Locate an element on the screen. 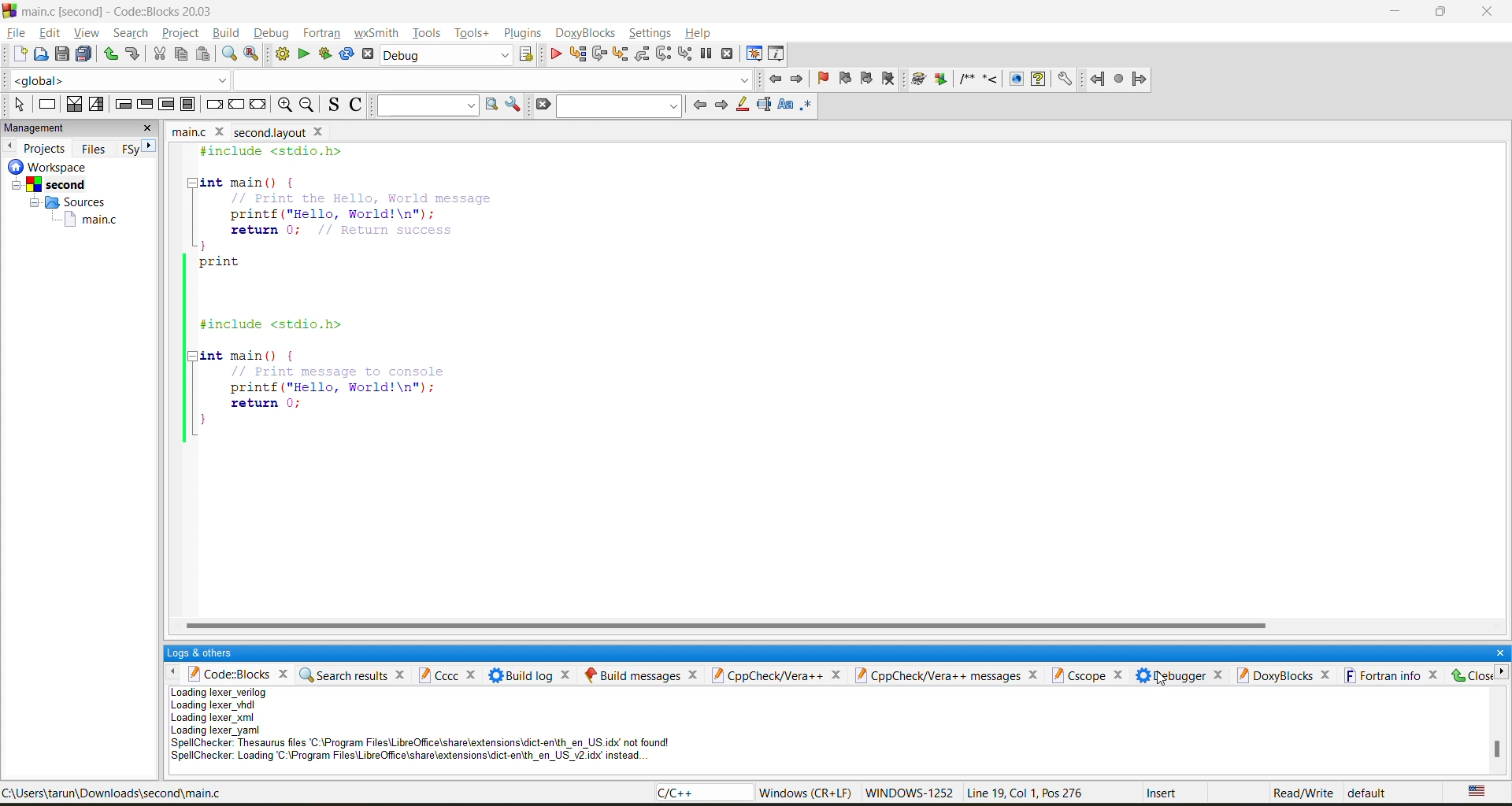 This screenshot has height=806, width=1512. abort is located at coordinates (371, 53).